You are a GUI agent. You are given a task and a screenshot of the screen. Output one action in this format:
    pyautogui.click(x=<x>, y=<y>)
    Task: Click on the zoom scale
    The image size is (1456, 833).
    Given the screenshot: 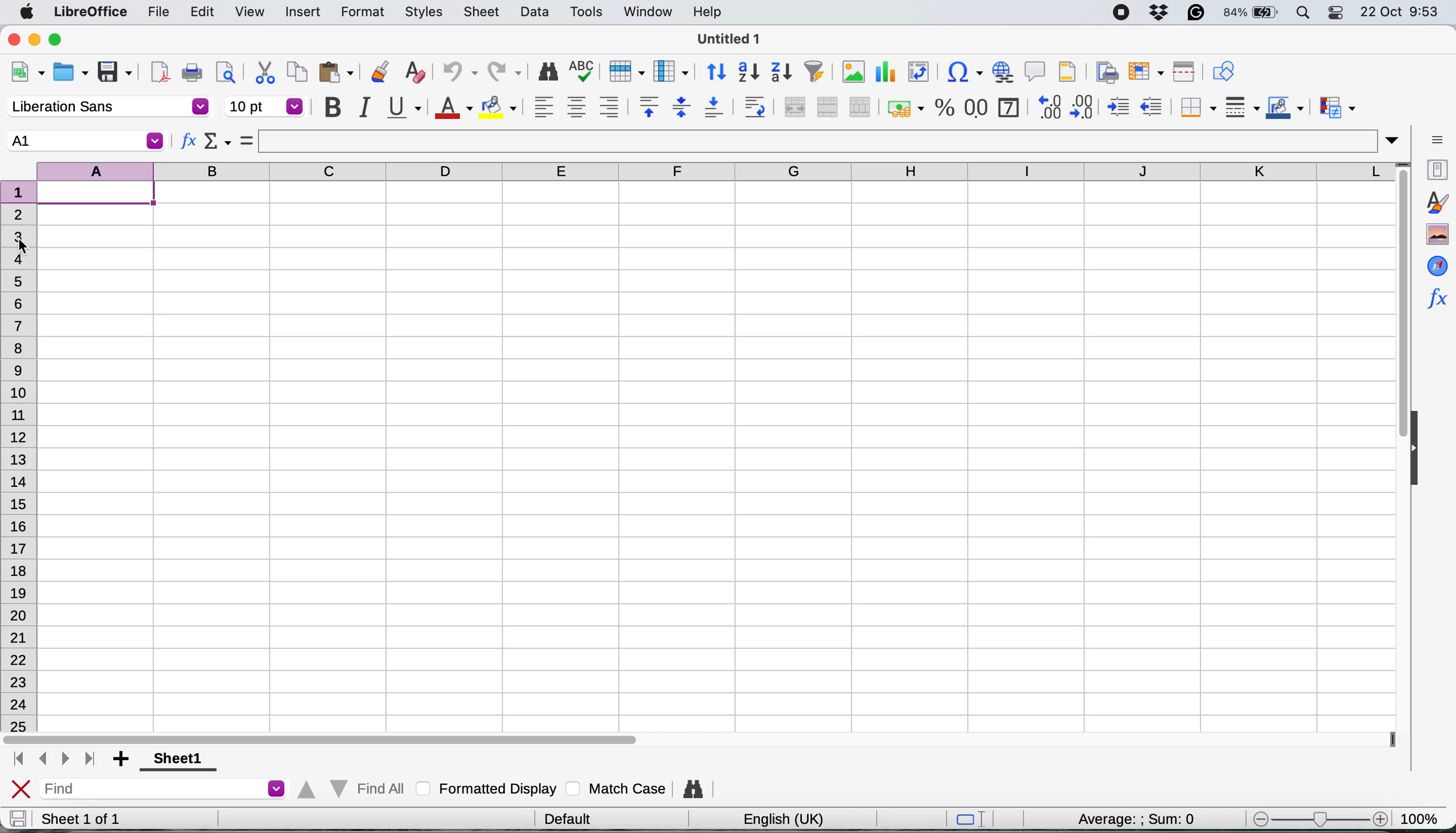 What is the action you would take?
    pyautogui.click(x=1320, y=819)
    